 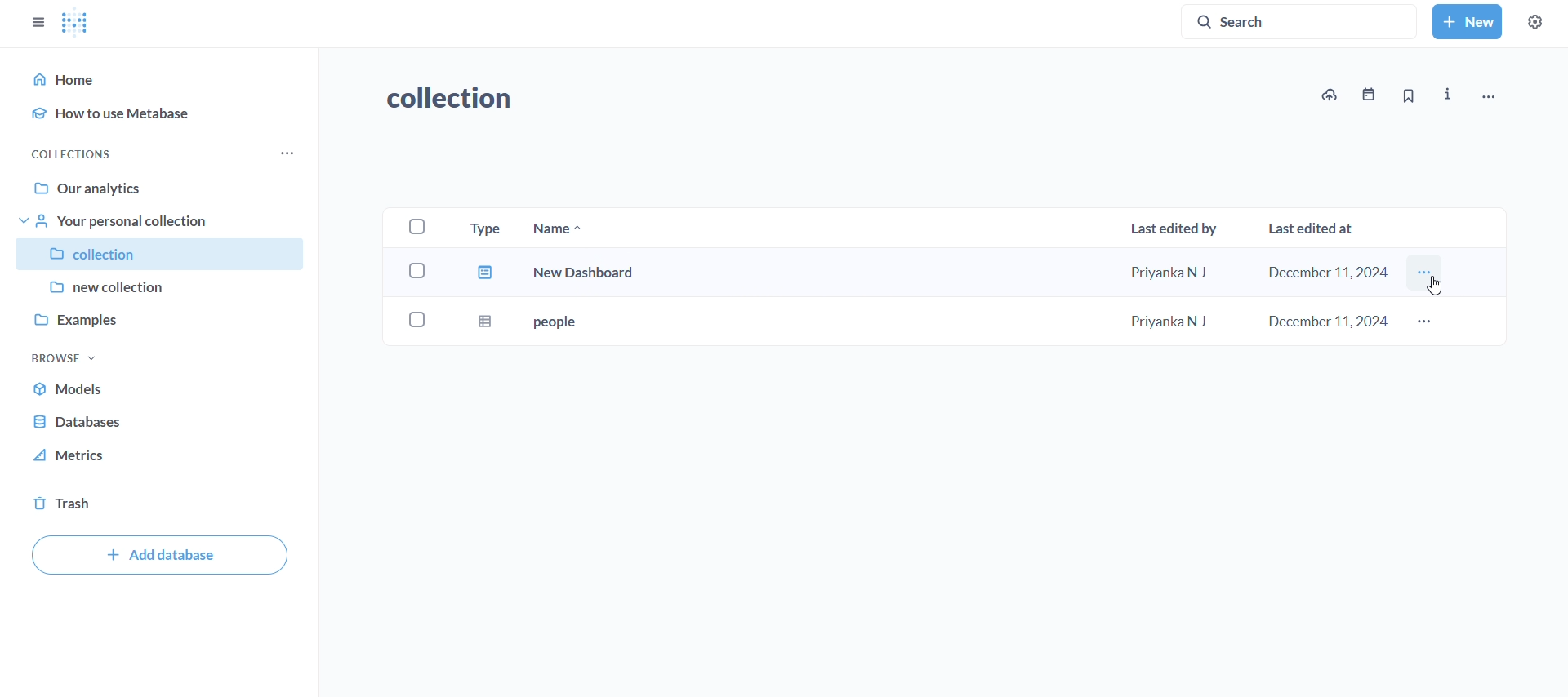 I want to click on last edited by, so click(x=1174, y=226).